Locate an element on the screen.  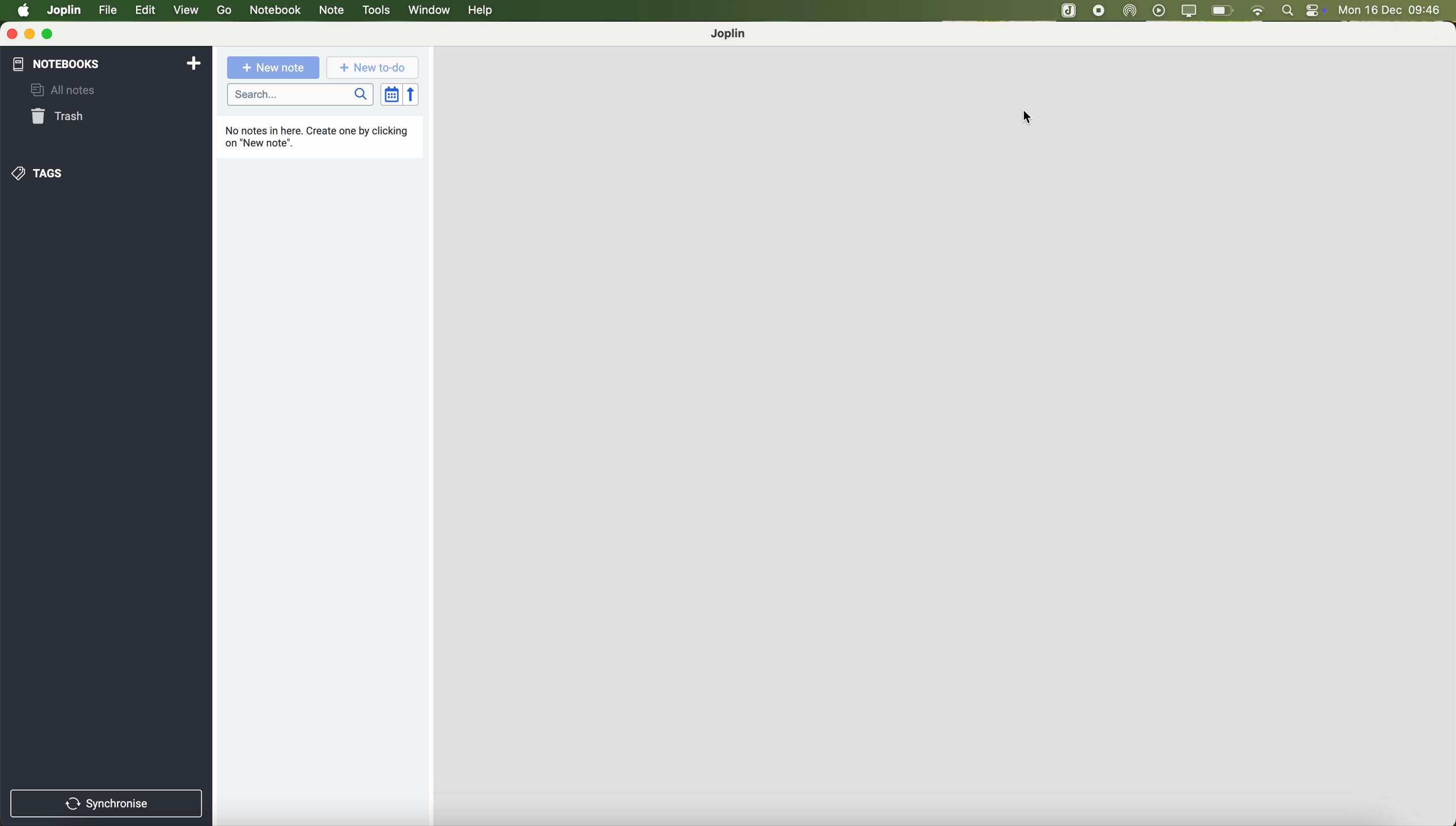
No notes in here. Create one by clicking
on "New note". is located at coordinates (316, 134).